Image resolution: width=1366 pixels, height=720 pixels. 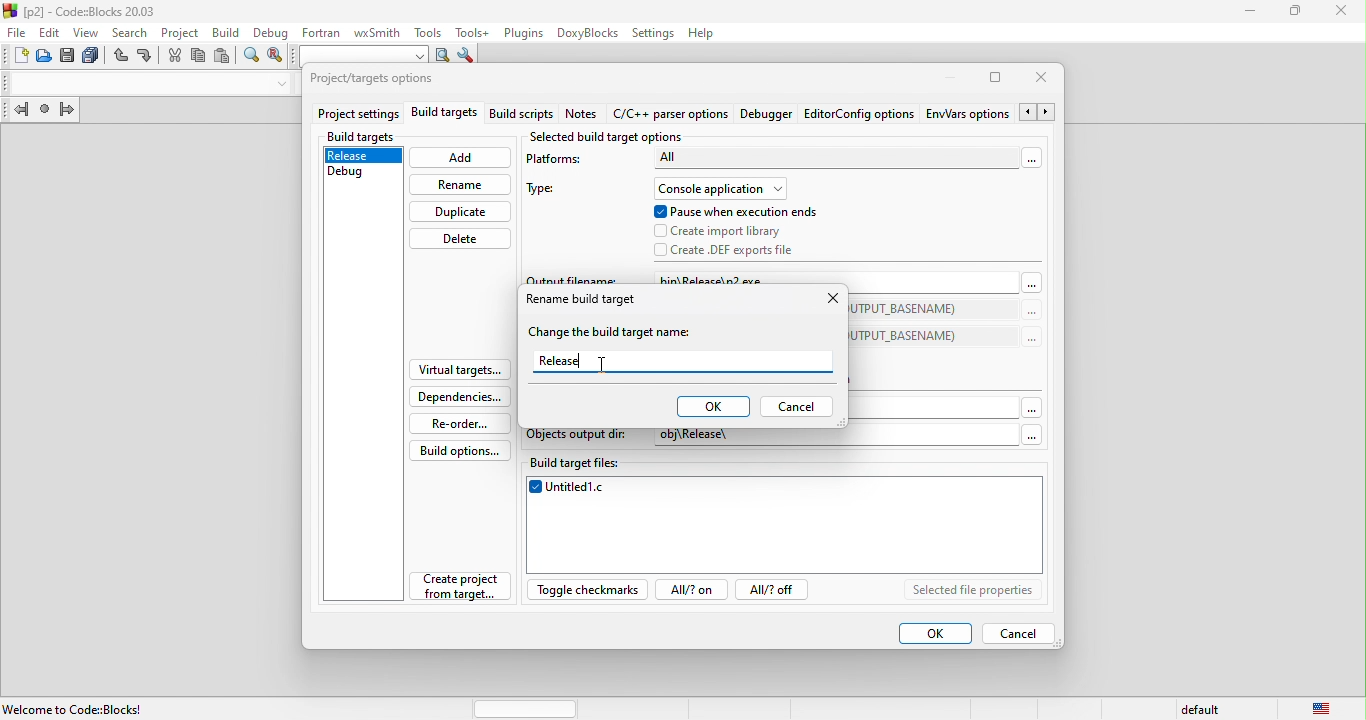 What do you see at coordinates (525, 115) in the screenshot?
I see `build script ` at bounding box center [525, 115].